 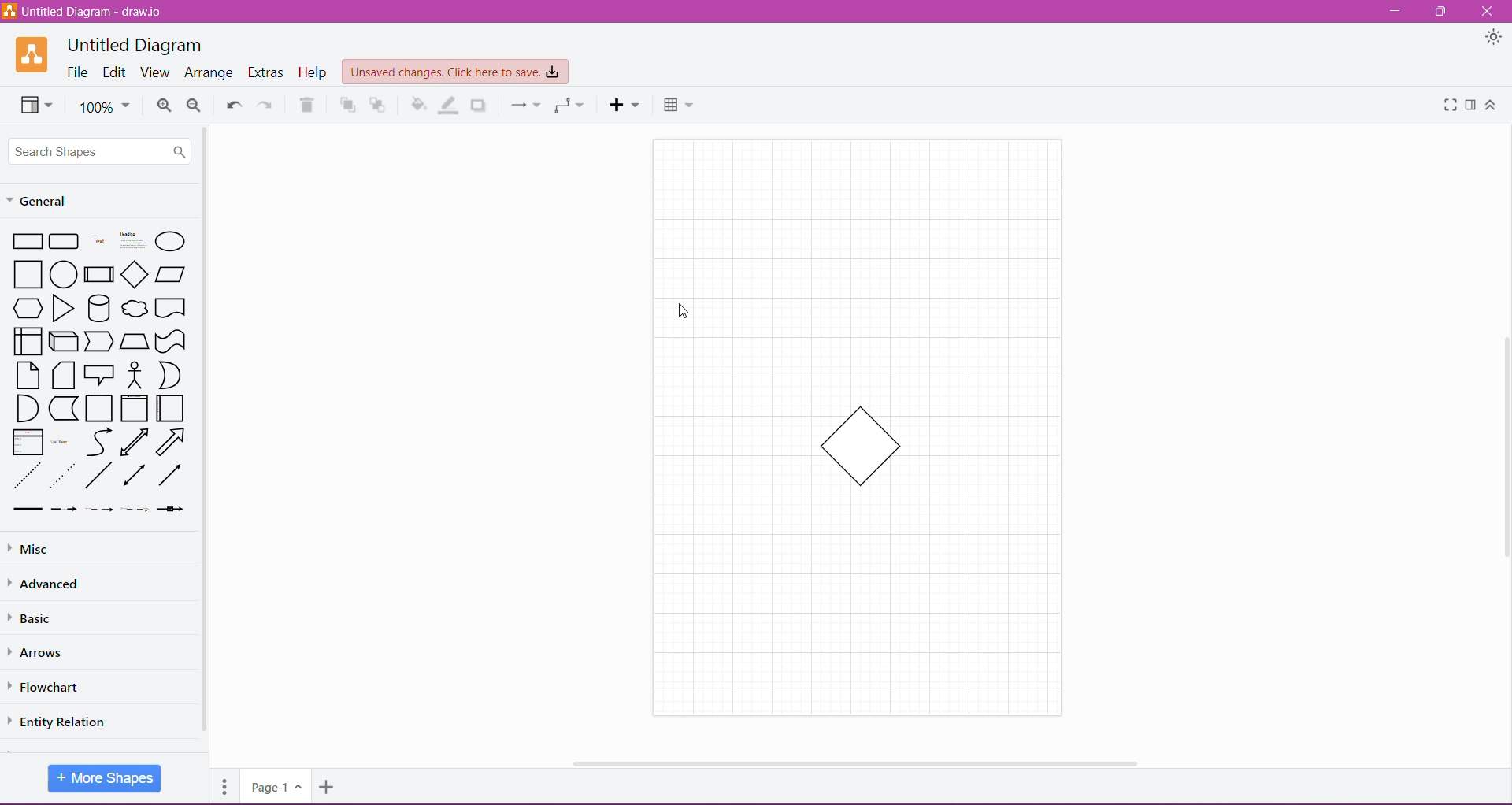 I want to click on Advanced, so click(x=50, y=584).